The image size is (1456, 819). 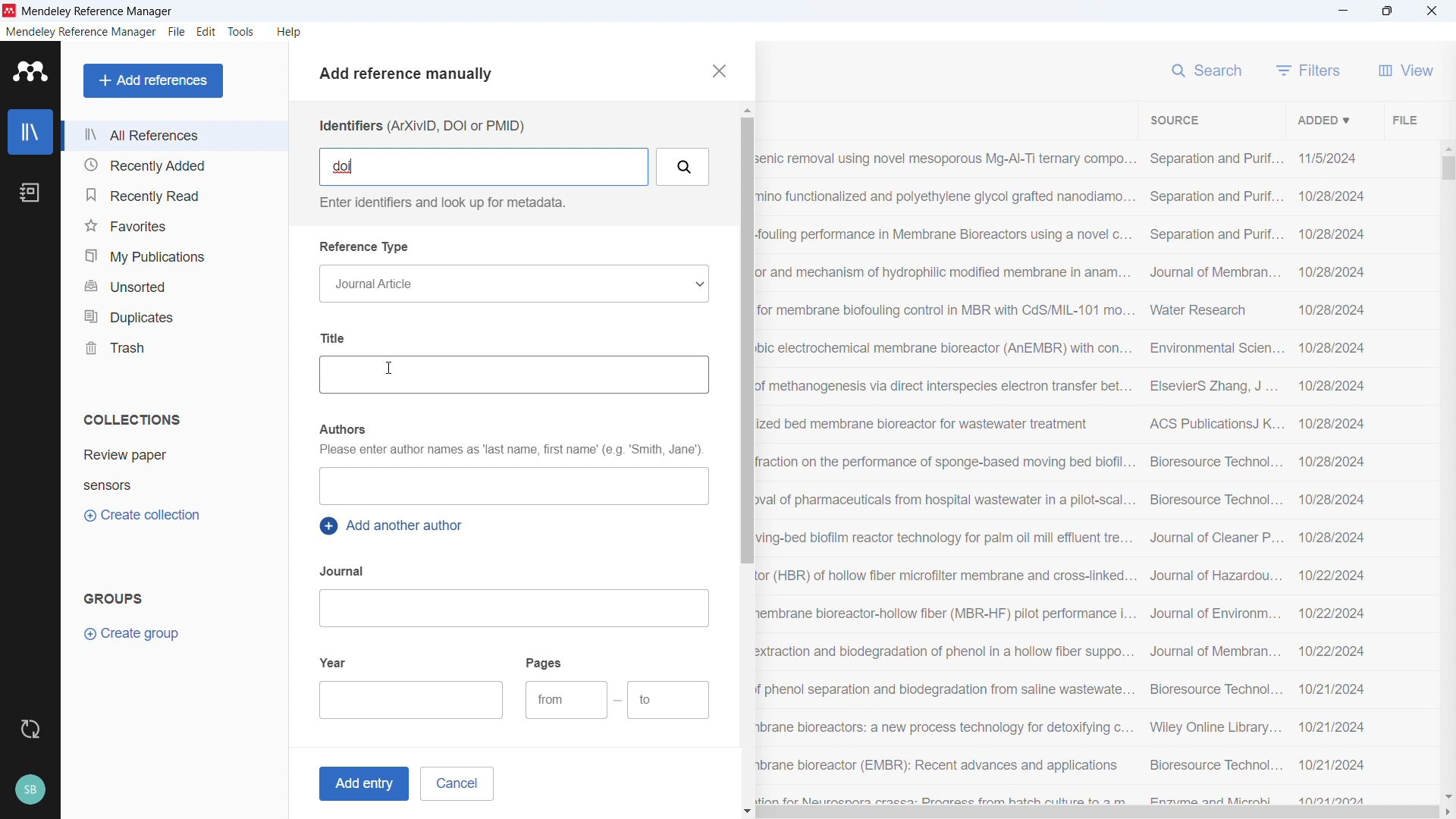 I want to click on year, so click(x=334, y=661).